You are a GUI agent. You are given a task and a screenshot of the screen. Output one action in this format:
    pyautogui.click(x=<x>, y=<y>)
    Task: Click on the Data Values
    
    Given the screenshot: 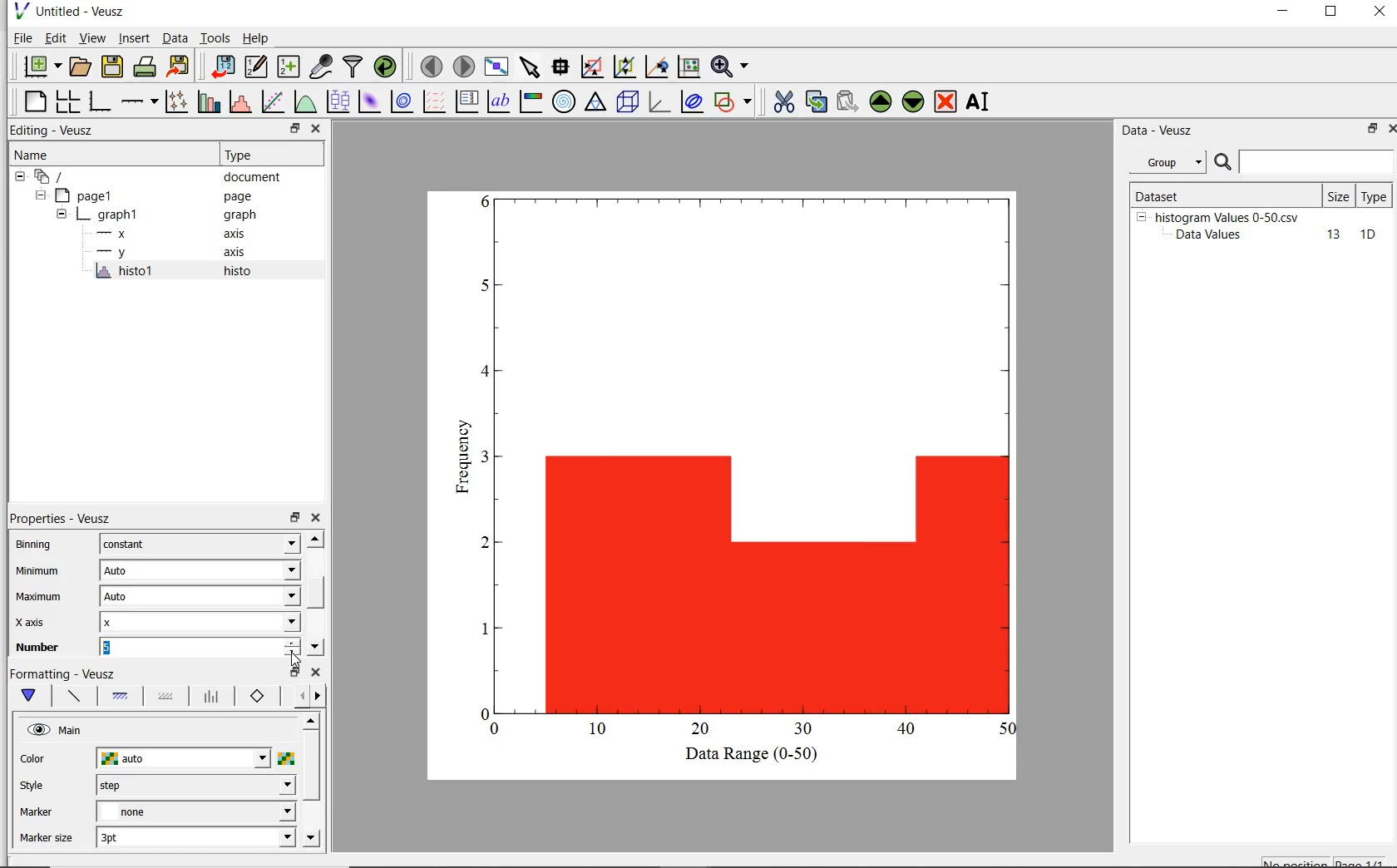 What is the action you would take?
    pyautogui.click(x=1214, y=235)
    